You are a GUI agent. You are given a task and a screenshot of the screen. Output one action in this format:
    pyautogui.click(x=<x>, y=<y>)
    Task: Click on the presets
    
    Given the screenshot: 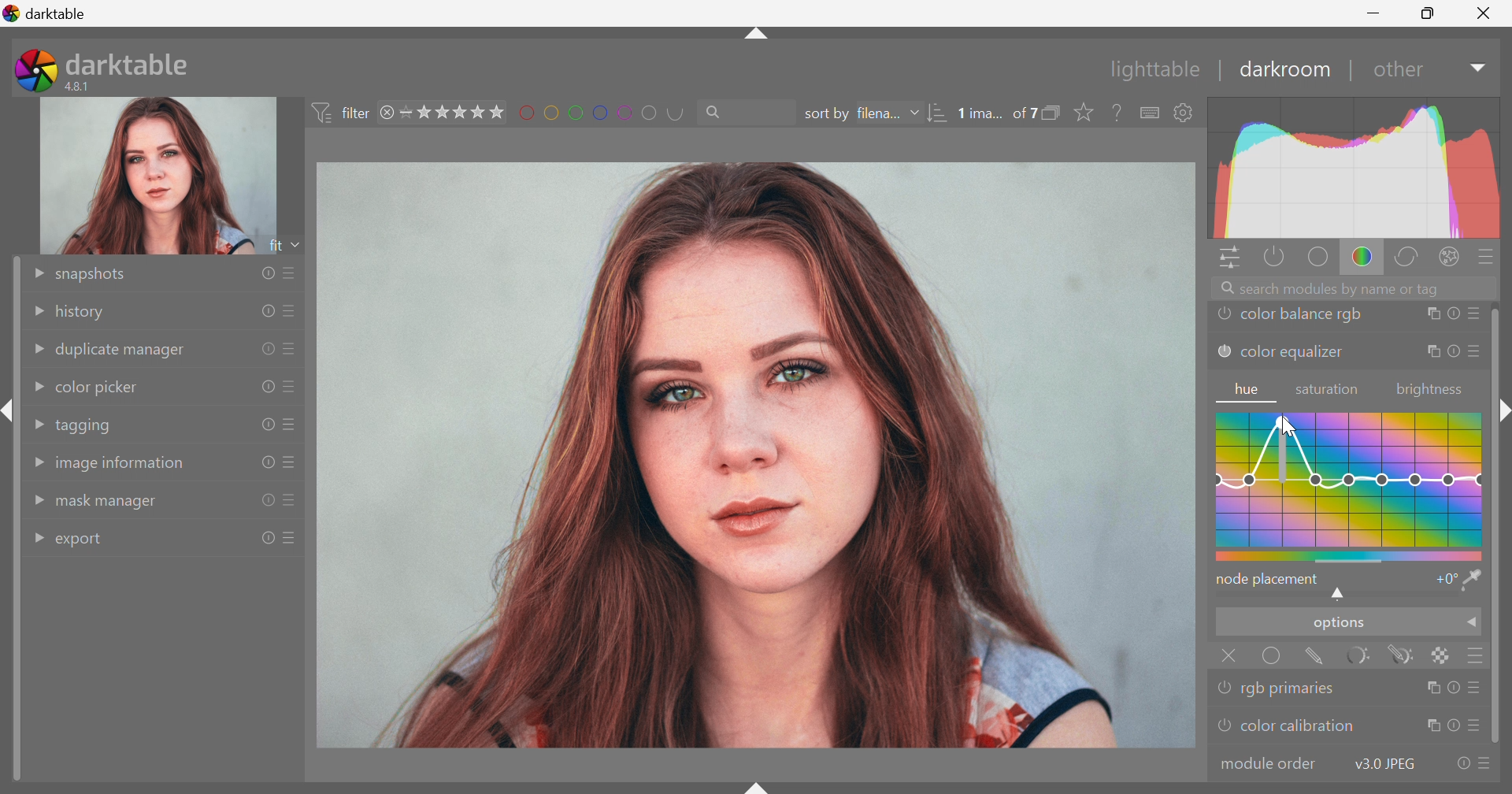 What is the action you would take?
    pyautogui.click(x=295, y=536)
    